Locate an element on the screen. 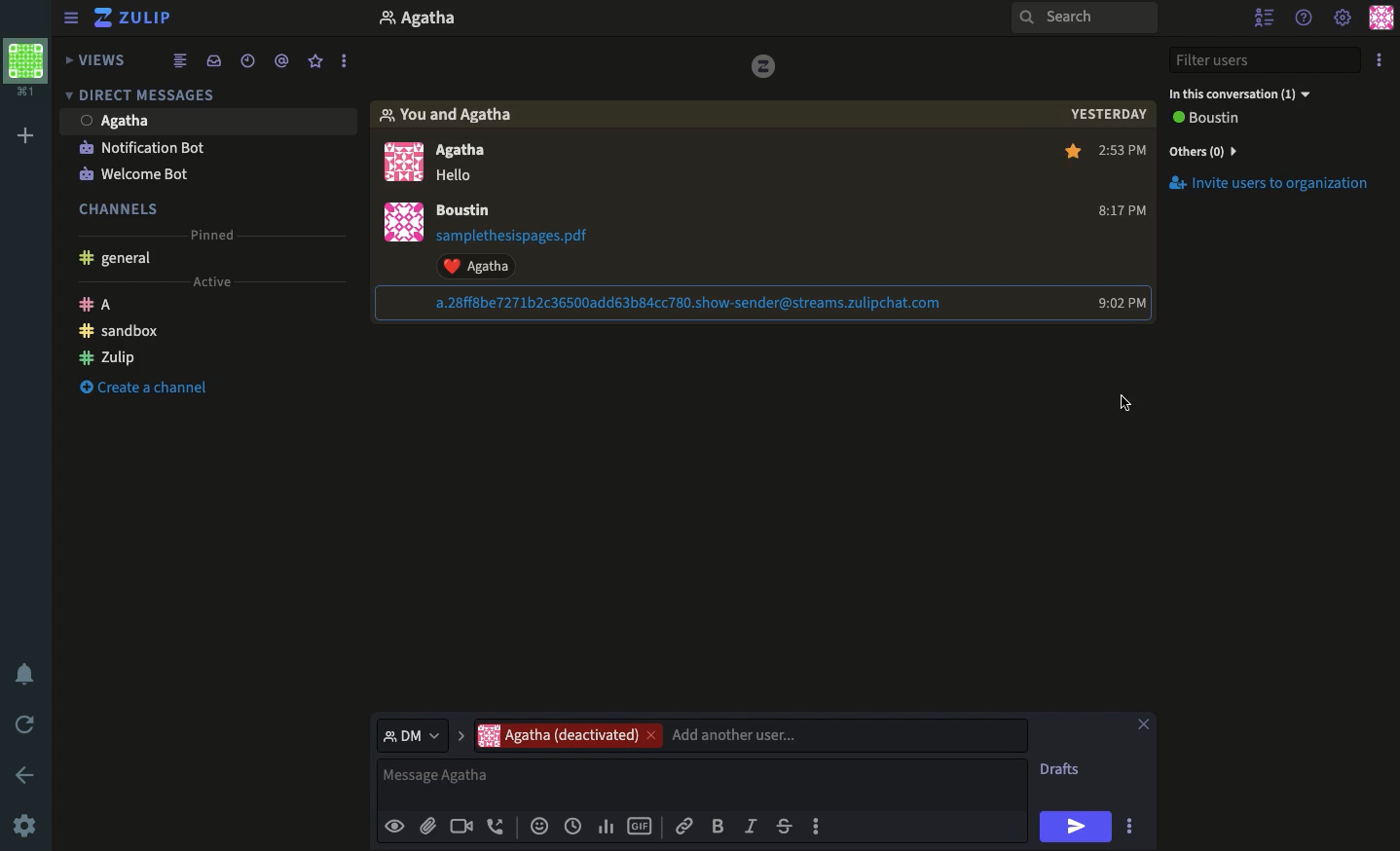 This screenshot has width=1400, height=851. Profile is located at coordinates (1382, 17).